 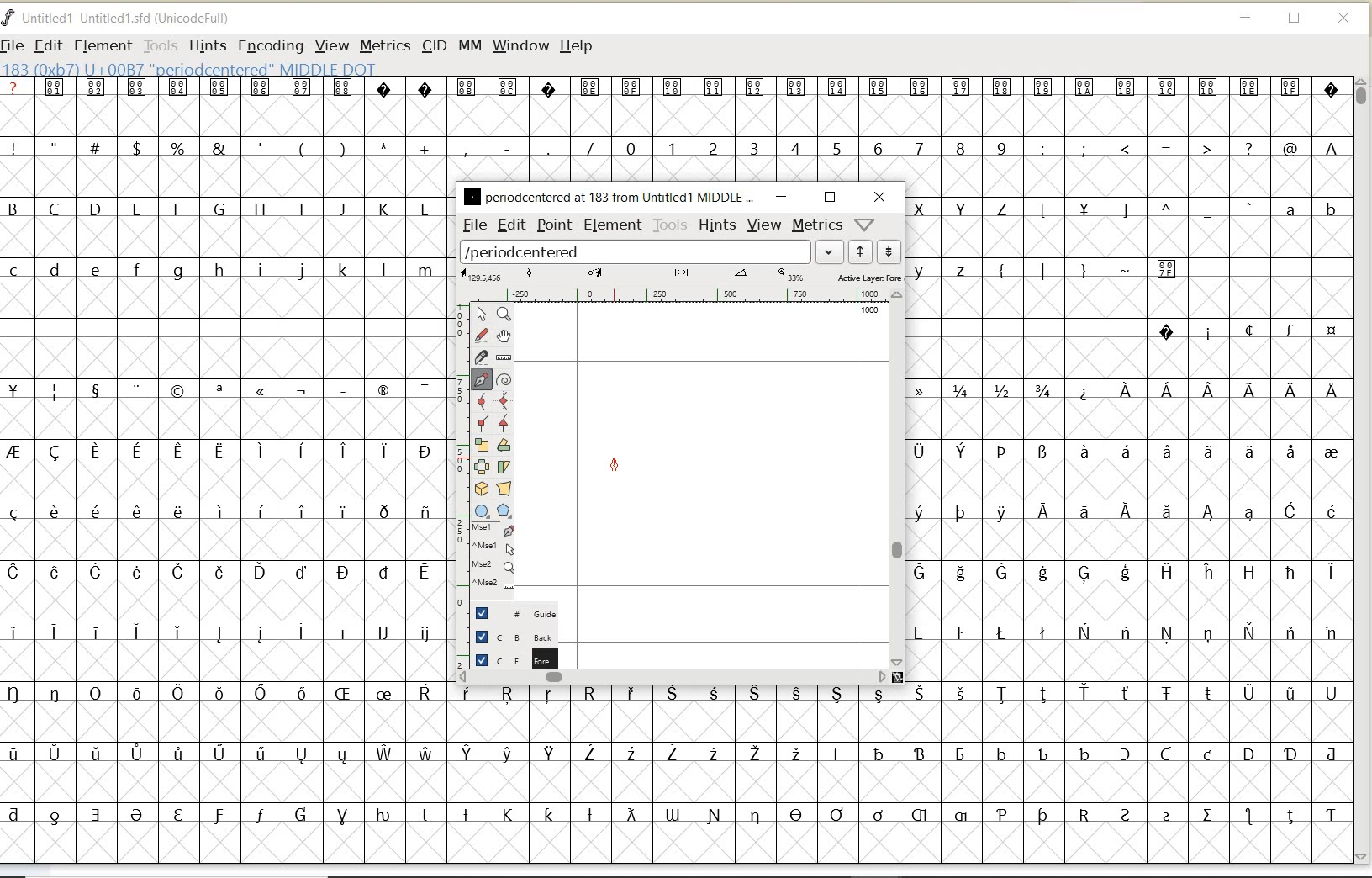 I want to click on cut splines in two, so click(x=481, y=357).